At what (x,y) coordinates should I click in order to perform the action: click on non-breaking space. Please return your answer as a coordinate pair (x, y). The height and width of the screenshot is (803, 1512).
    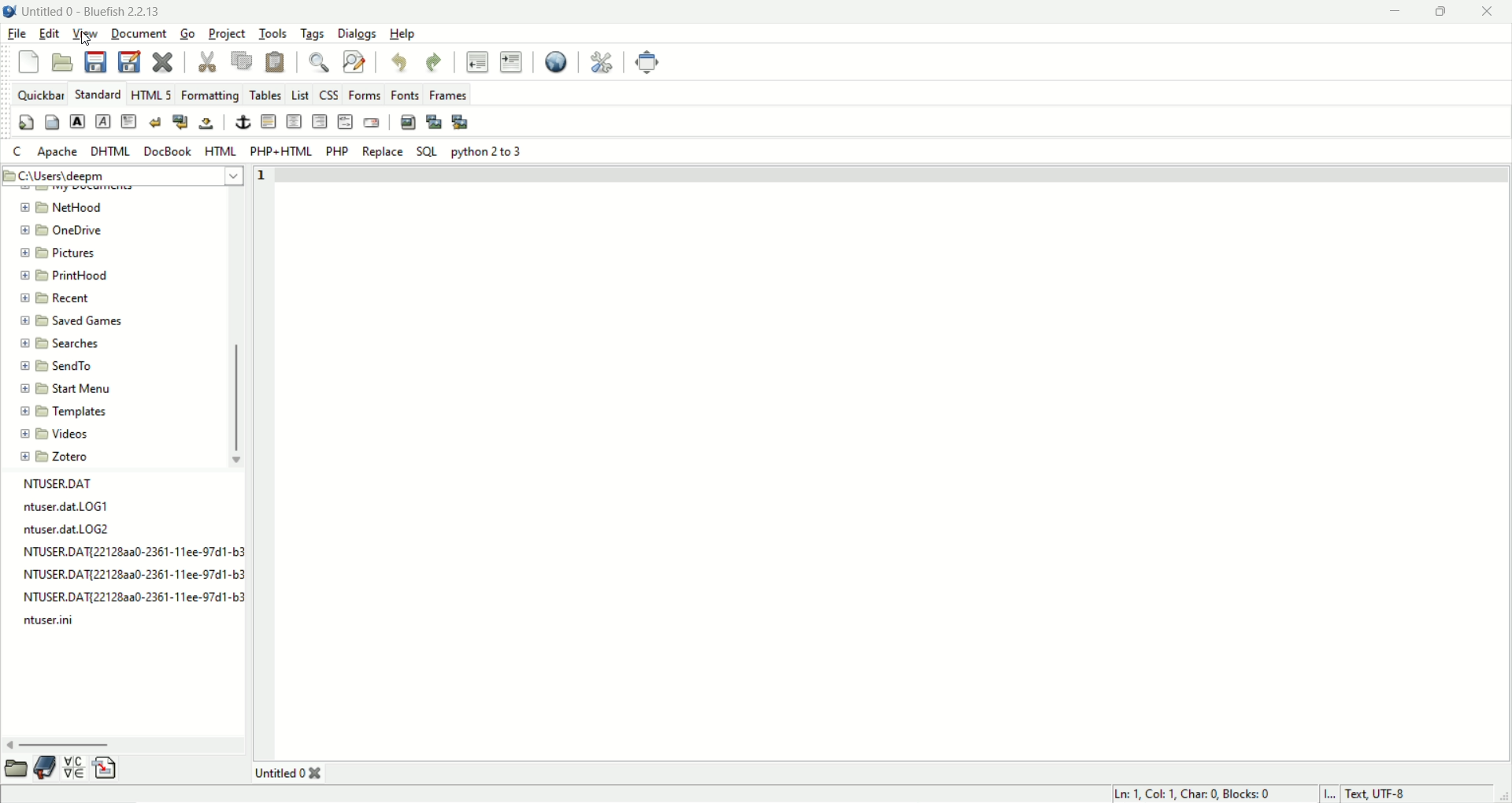
    Looking at the image, I should click on (209, 124).